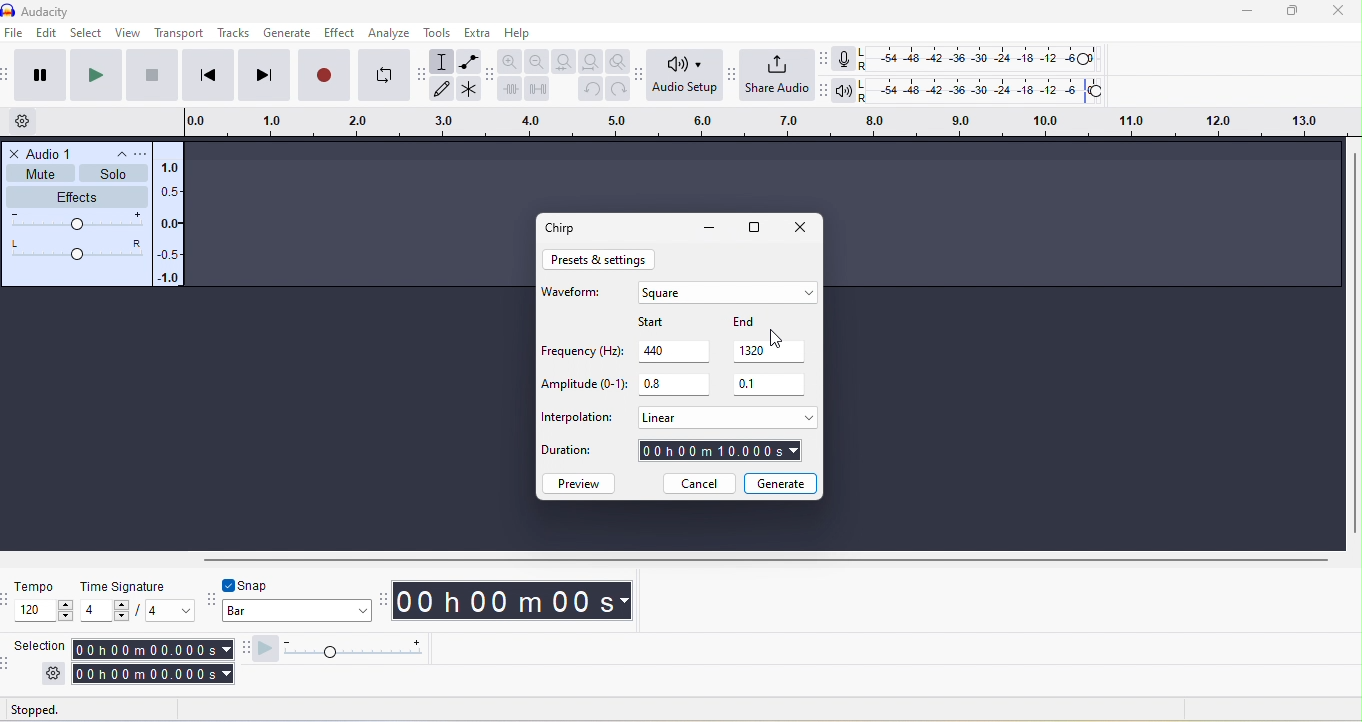 The height and width of the screenshot is (722, 1362). I want to click on bar, so click(298, 613).